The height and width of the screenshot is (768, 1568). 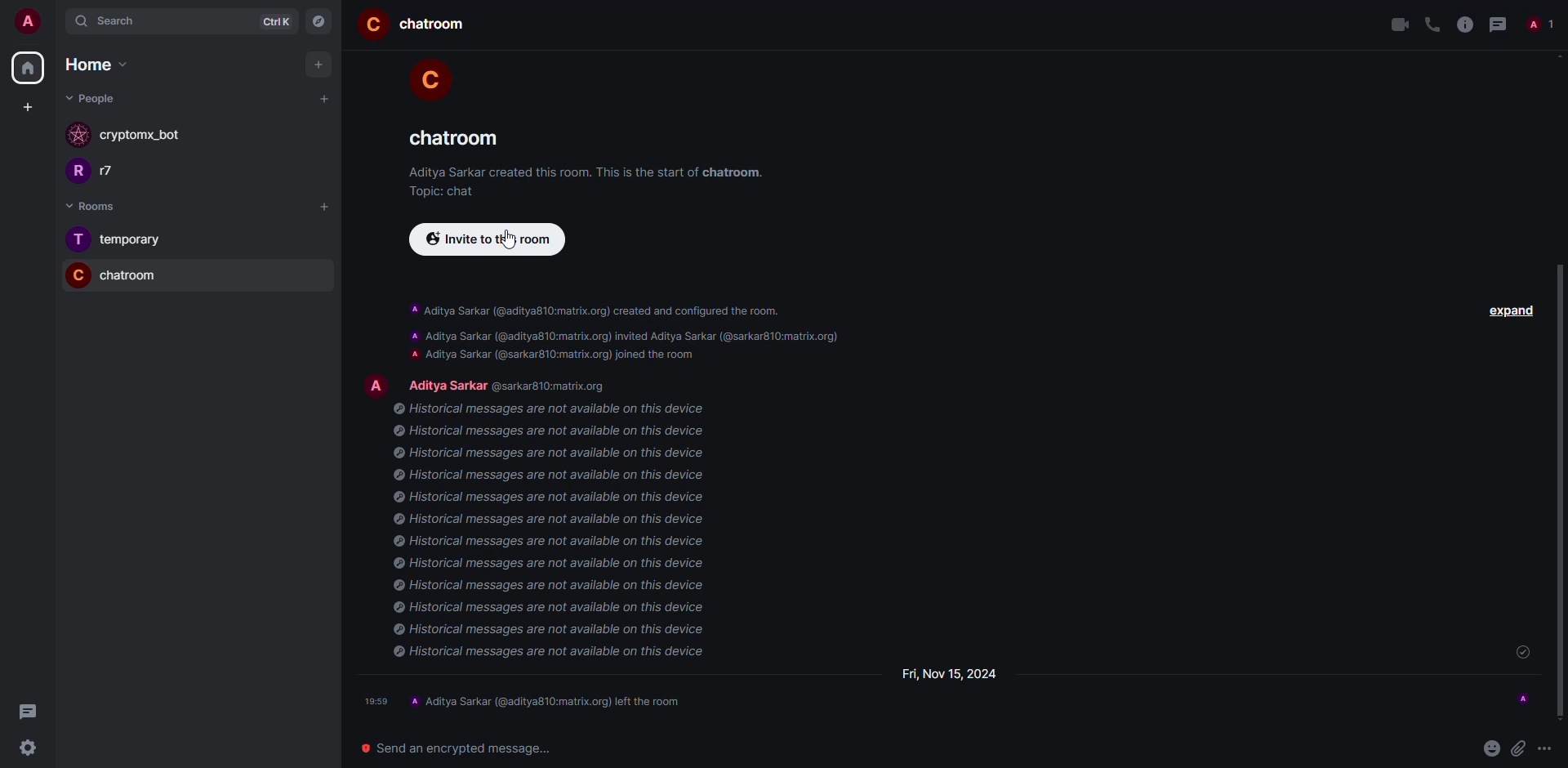 I want to click on search, so click(x=122, y=21).